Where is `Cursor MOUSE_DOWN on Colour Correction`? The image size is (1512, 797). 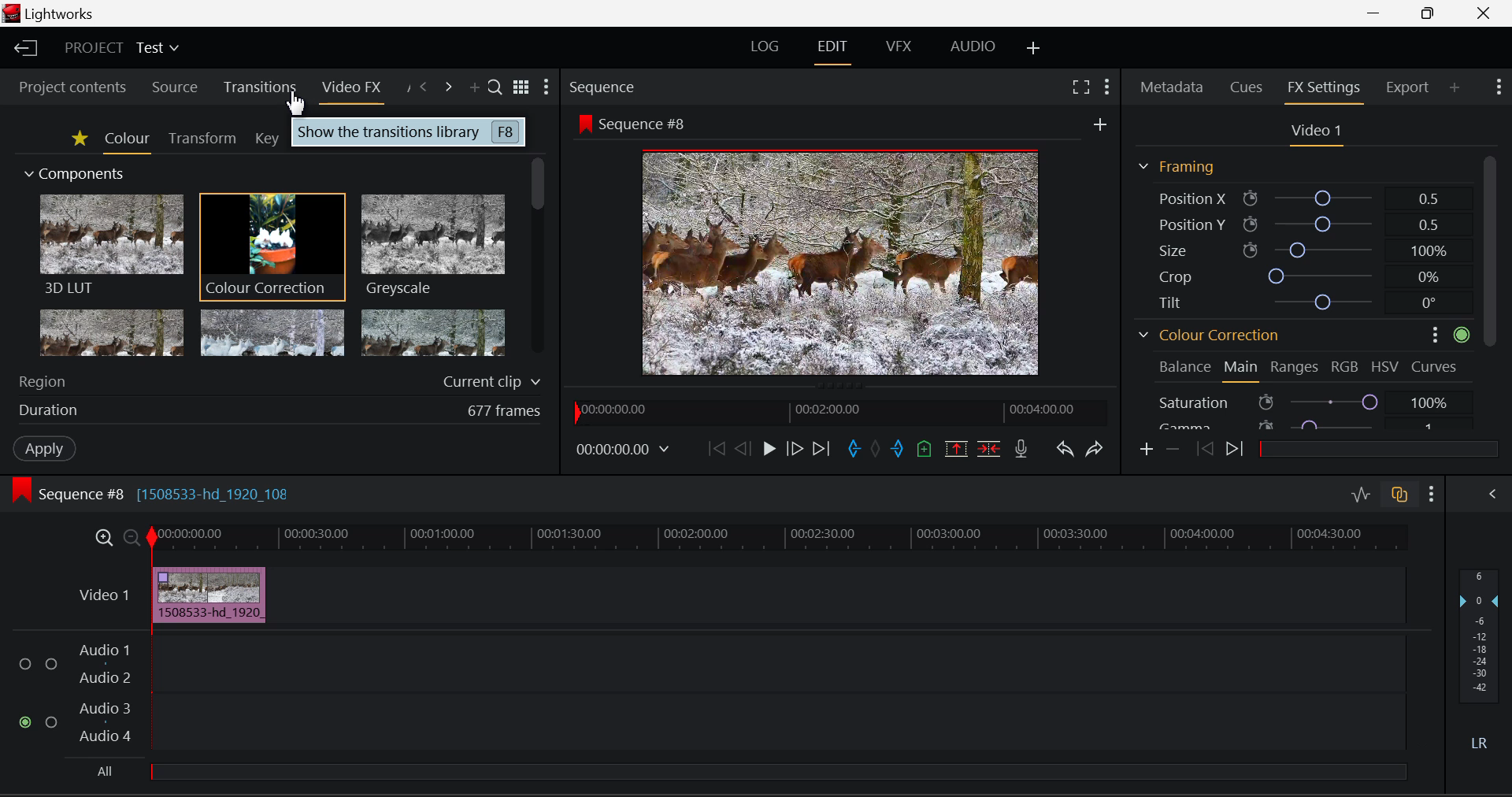
Cursor MOUSE_DOWN on Colour Correction is located at coordinates (272, 246).